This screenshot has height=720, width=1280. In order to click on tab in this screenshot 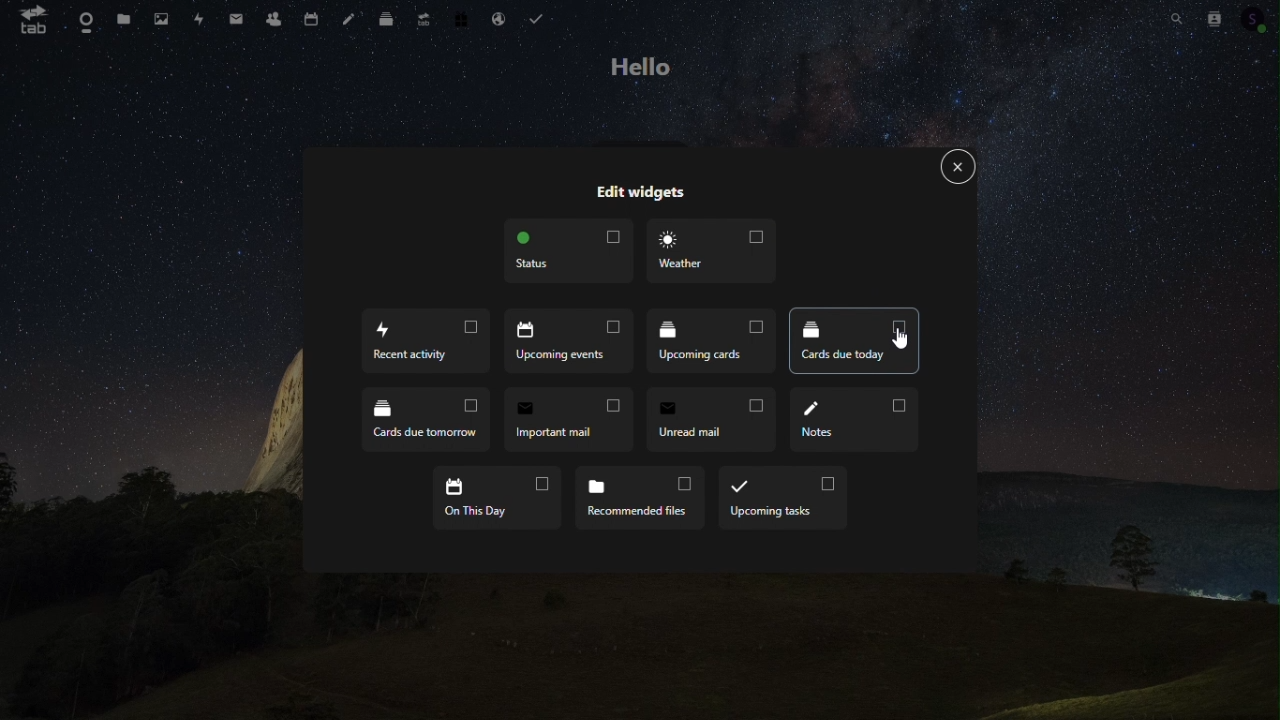, I will do `click(34, 22)`.